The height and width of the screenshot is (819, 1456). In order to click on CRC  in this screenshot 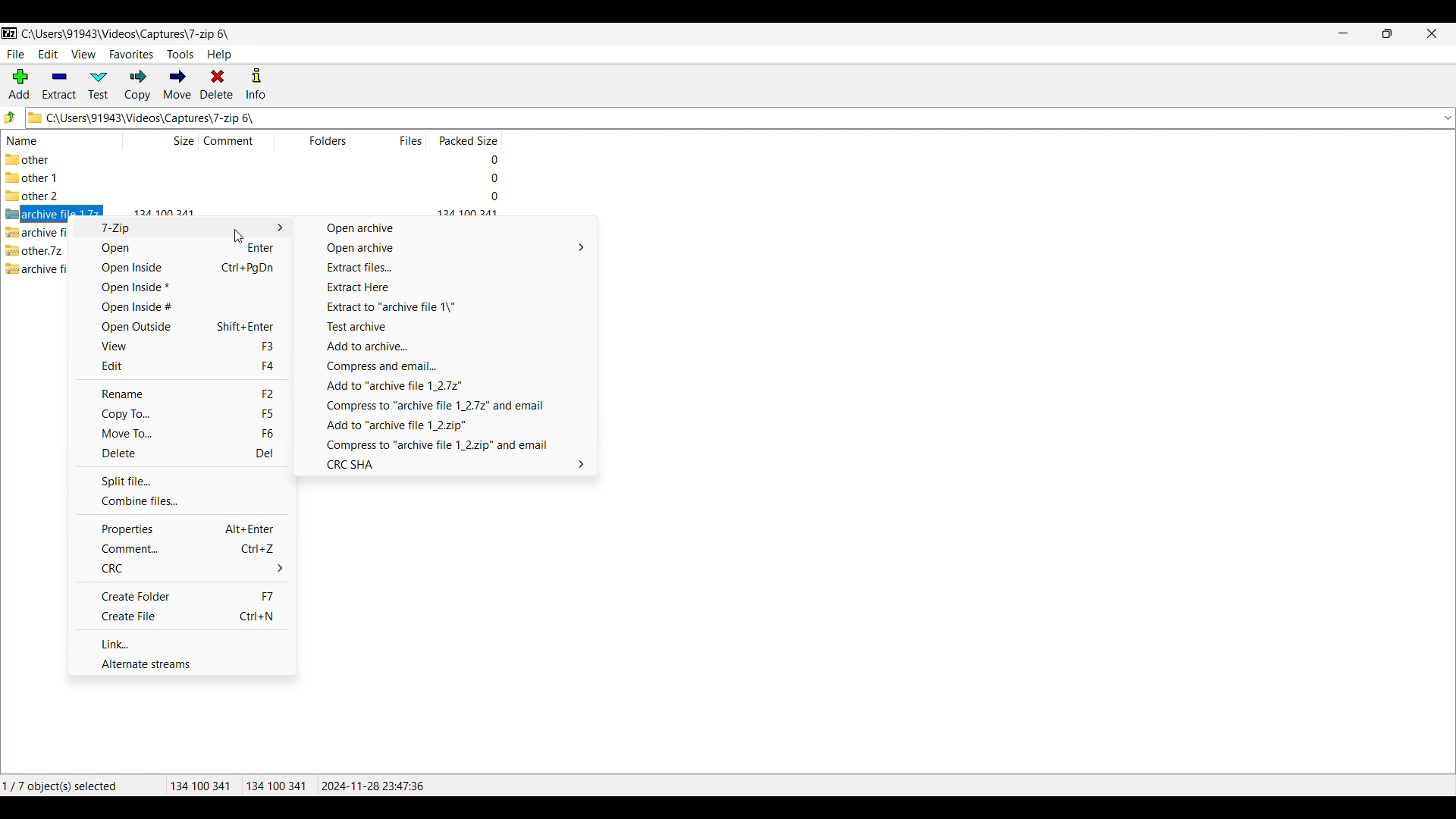, I will do `click(184, 568)`.